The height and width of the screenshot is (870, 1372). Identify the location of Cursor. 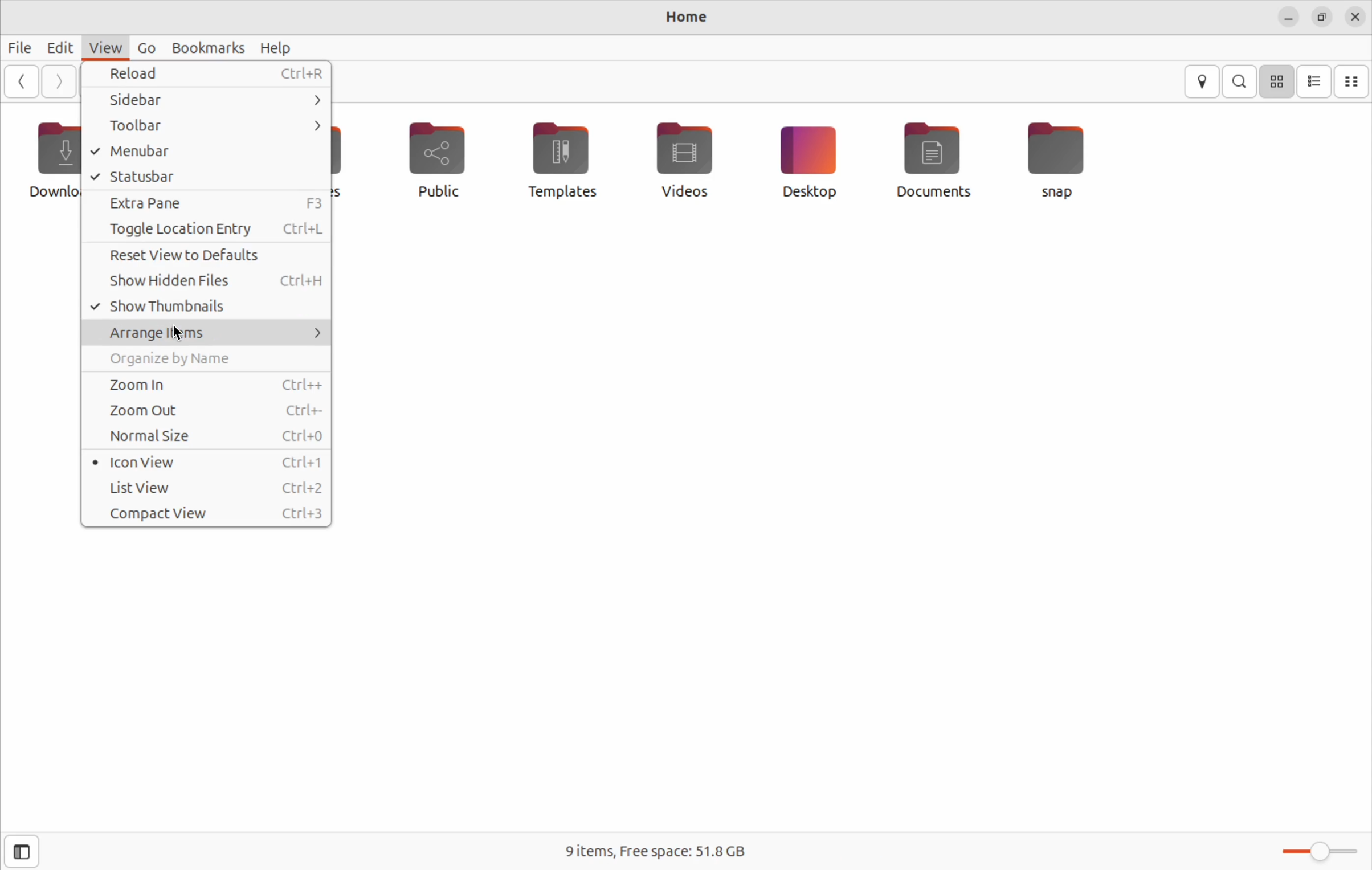
(179, 334).